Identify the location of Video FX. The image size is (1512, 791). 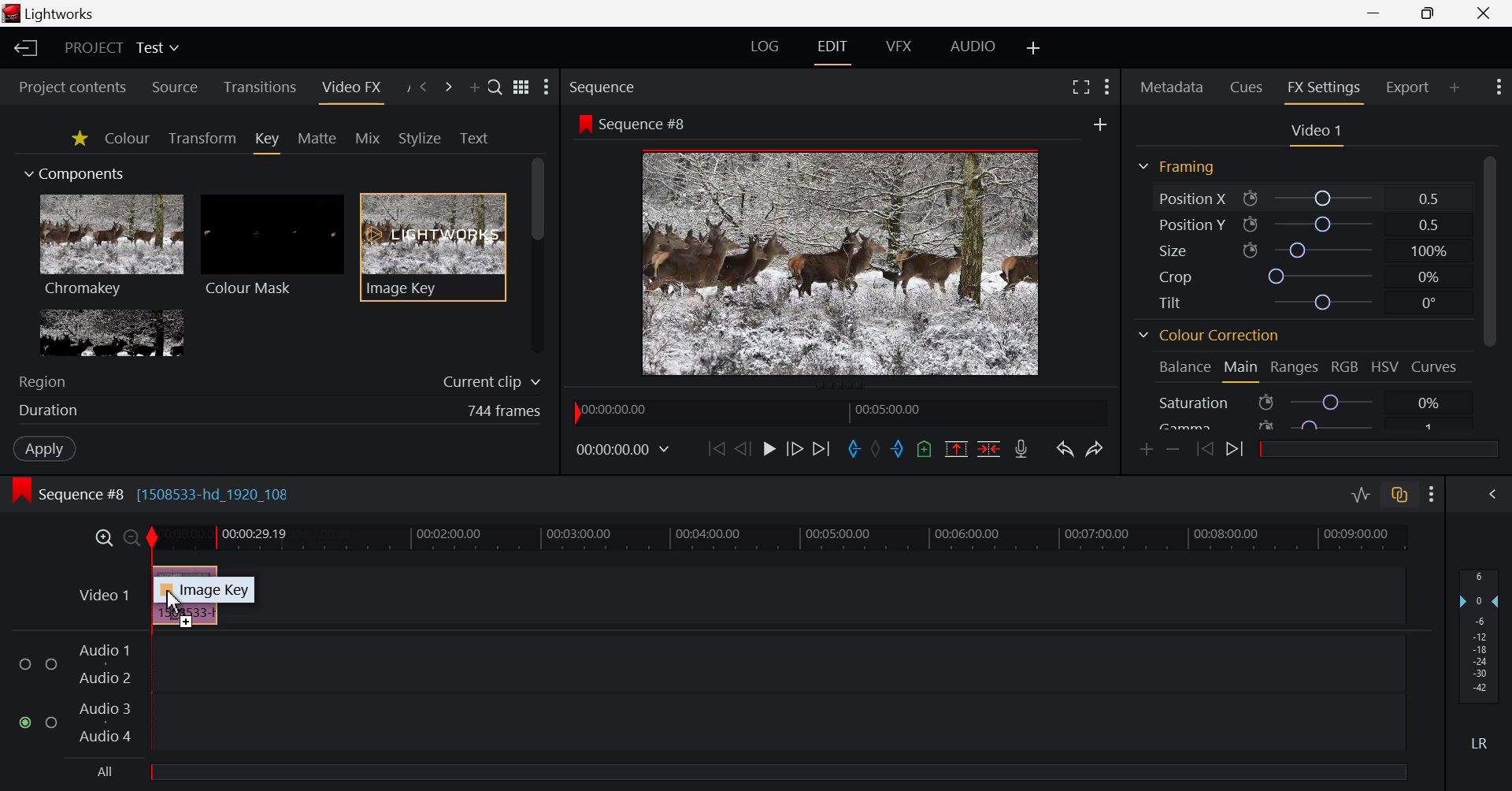
(356, 91).